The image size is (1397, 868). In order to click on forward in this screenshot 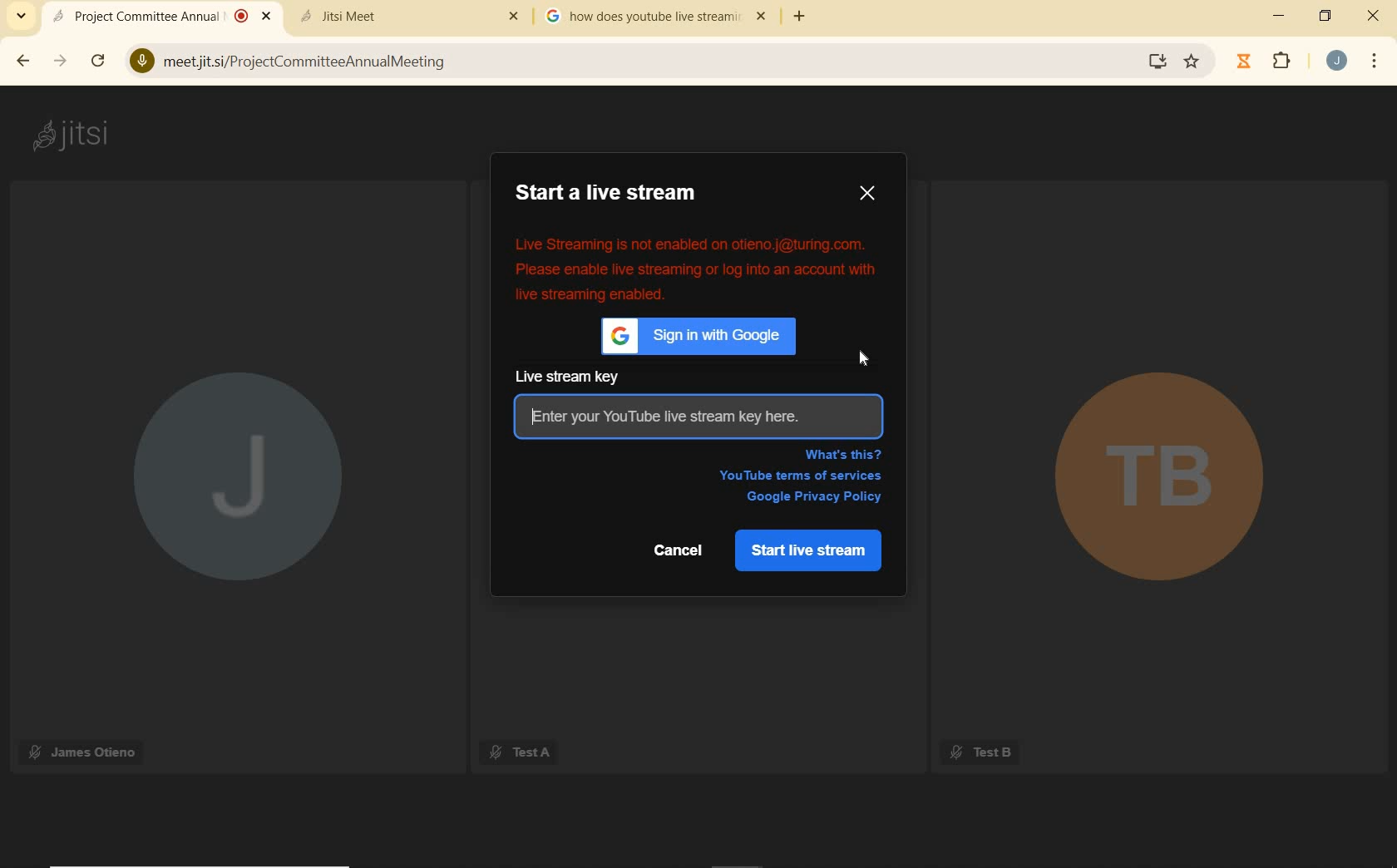, I will do `click(60, 60)`.